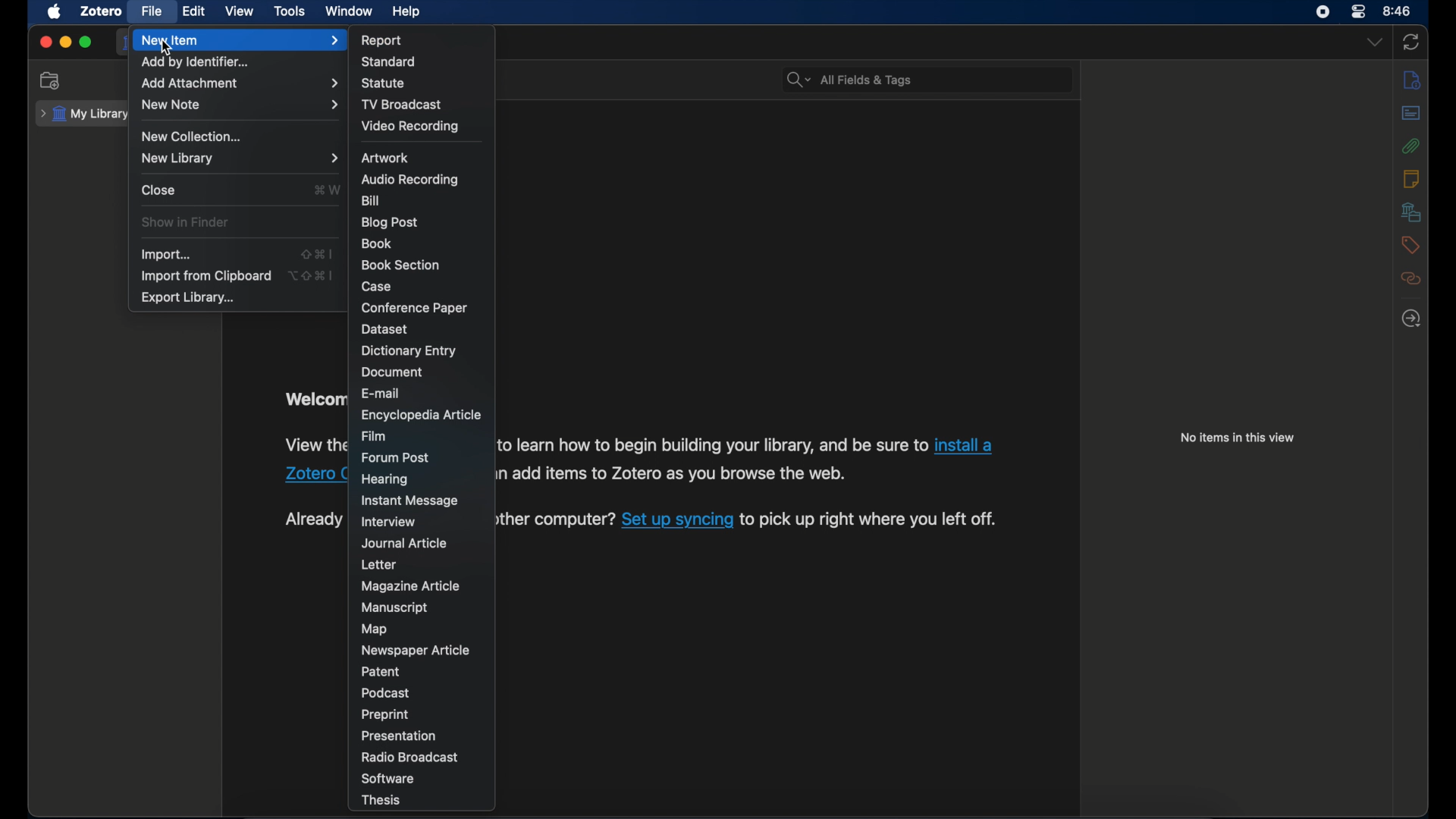 This screenshot has width=1456, height=819. What do you see at coordinates (152, 11) in the screenshot?
I see `file` at bounding box center [152, 11].